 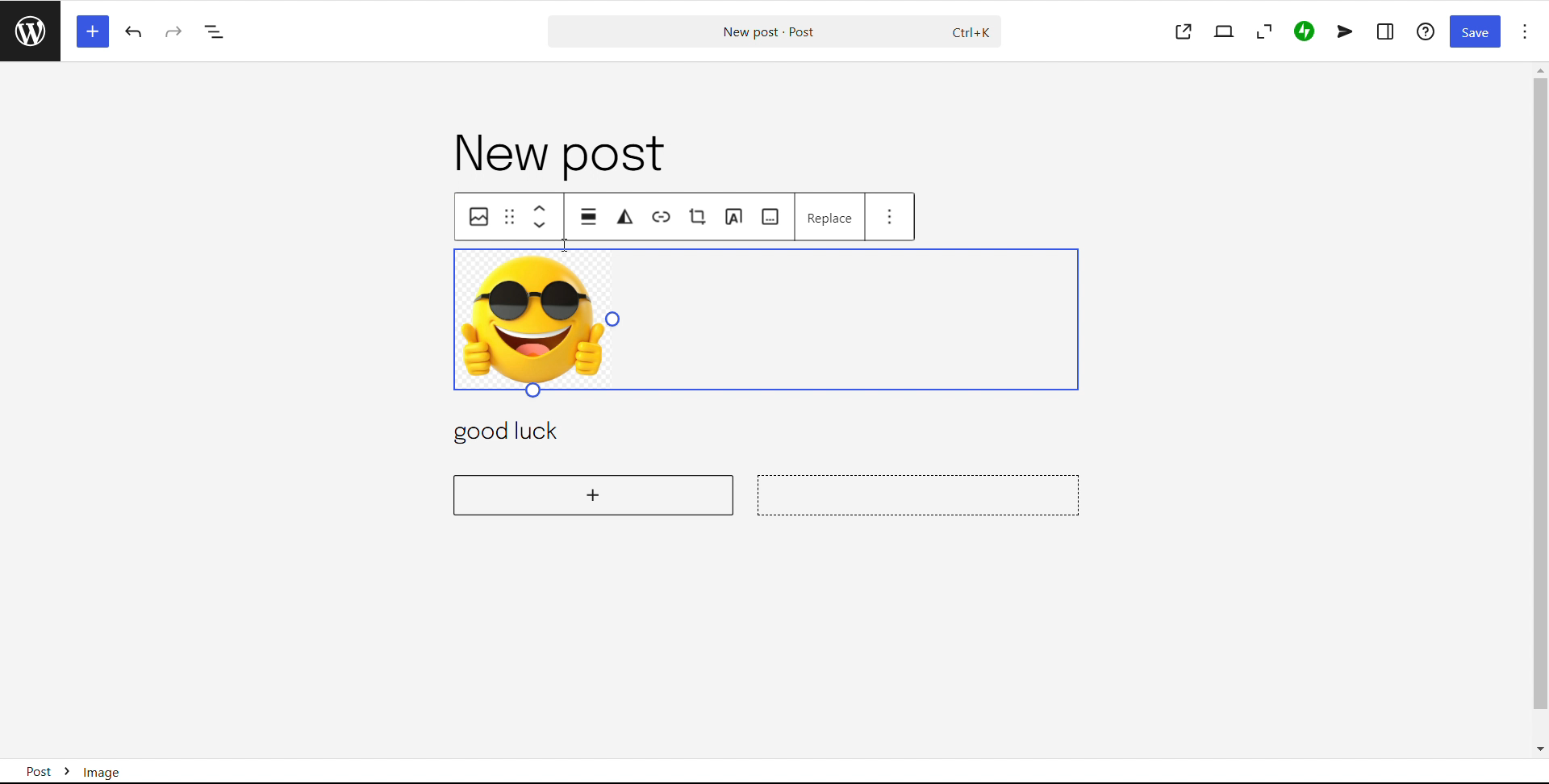 I want to click on Post > image, so click(x=114, y=766).